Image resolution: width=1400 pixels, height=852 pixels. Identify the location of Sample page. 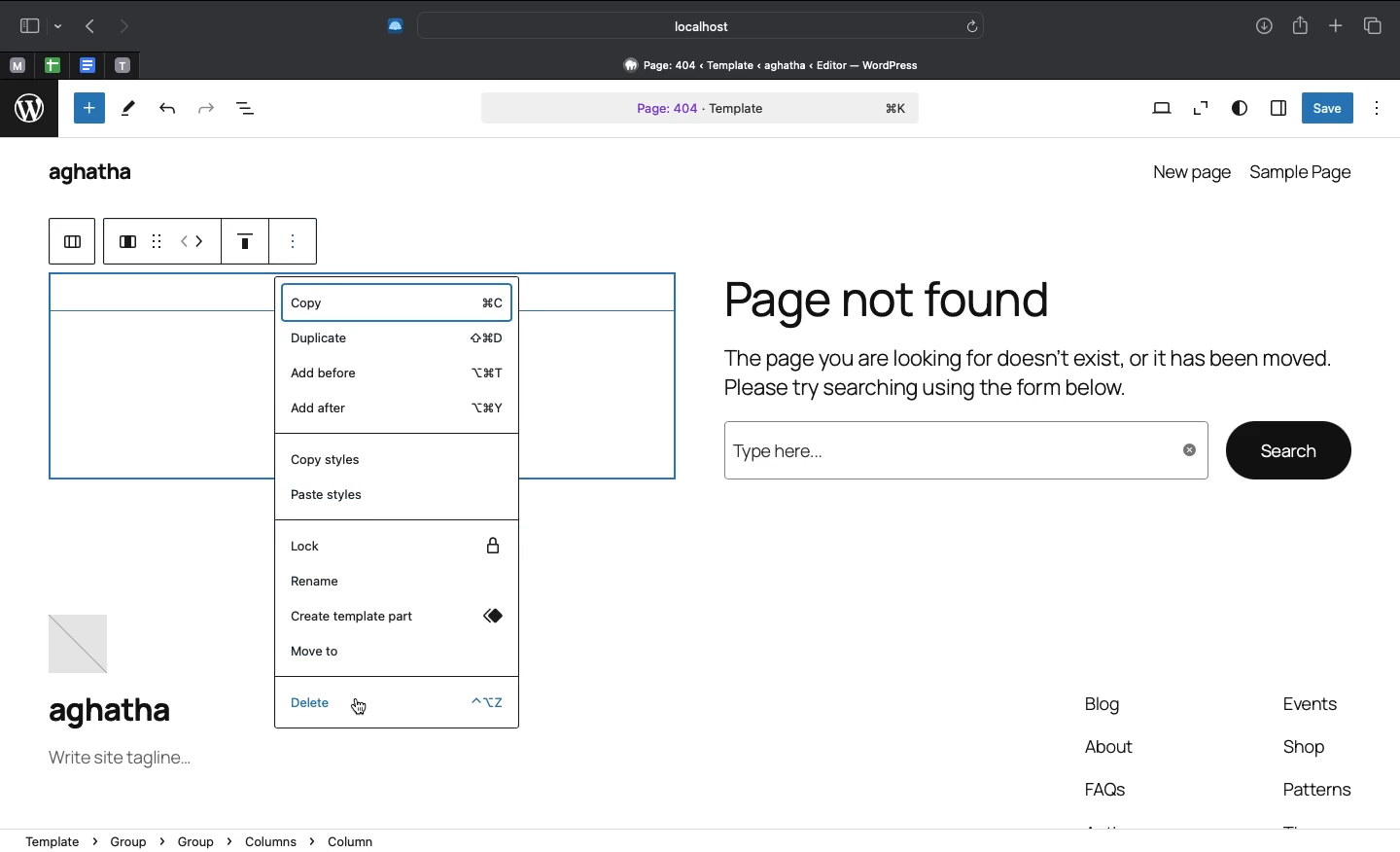
(1304, 172).